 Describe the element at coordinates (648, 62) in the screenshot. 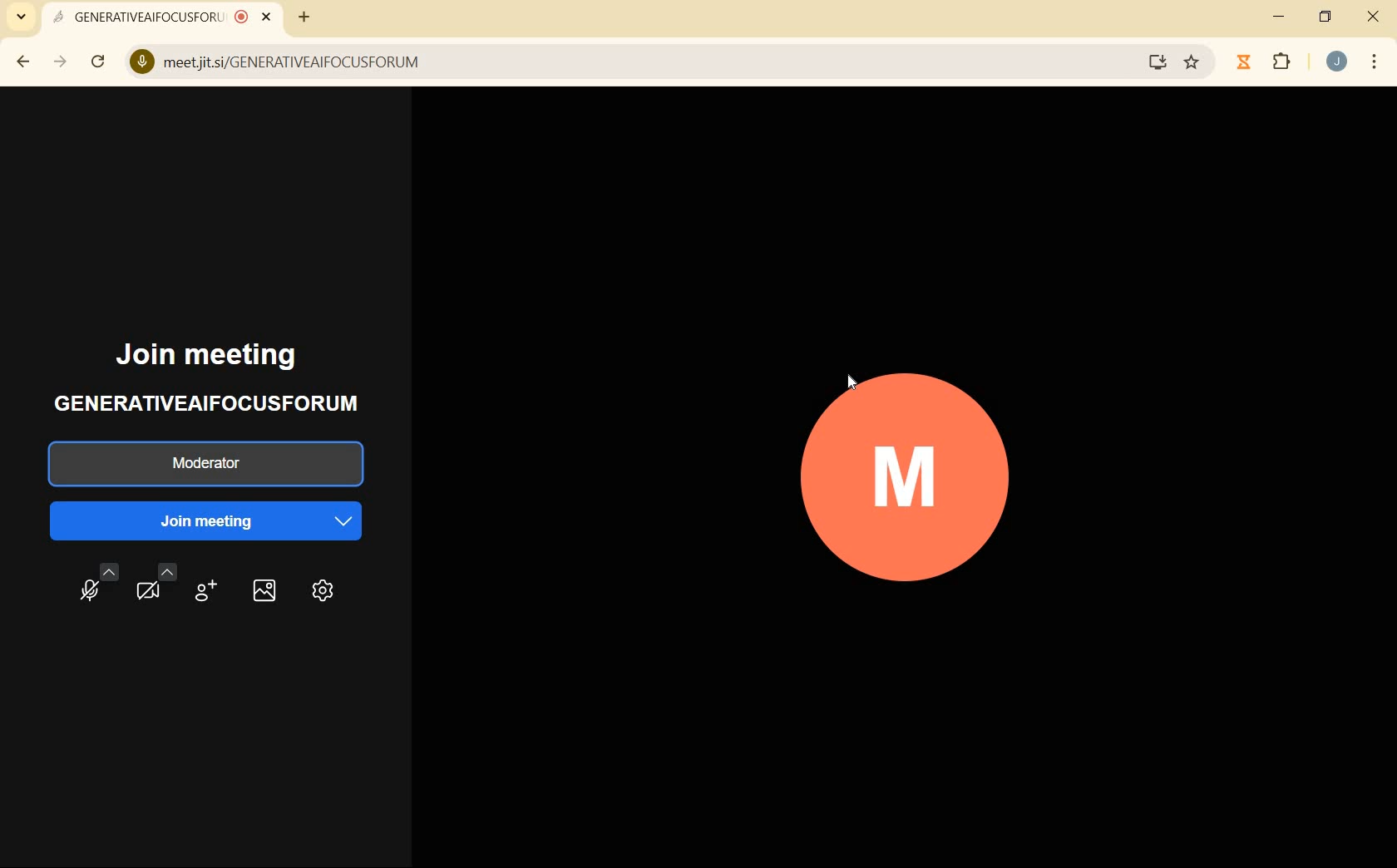

I see `| meet,jit.si/GENERATIVEAIFOCUSFORUM` at that location.